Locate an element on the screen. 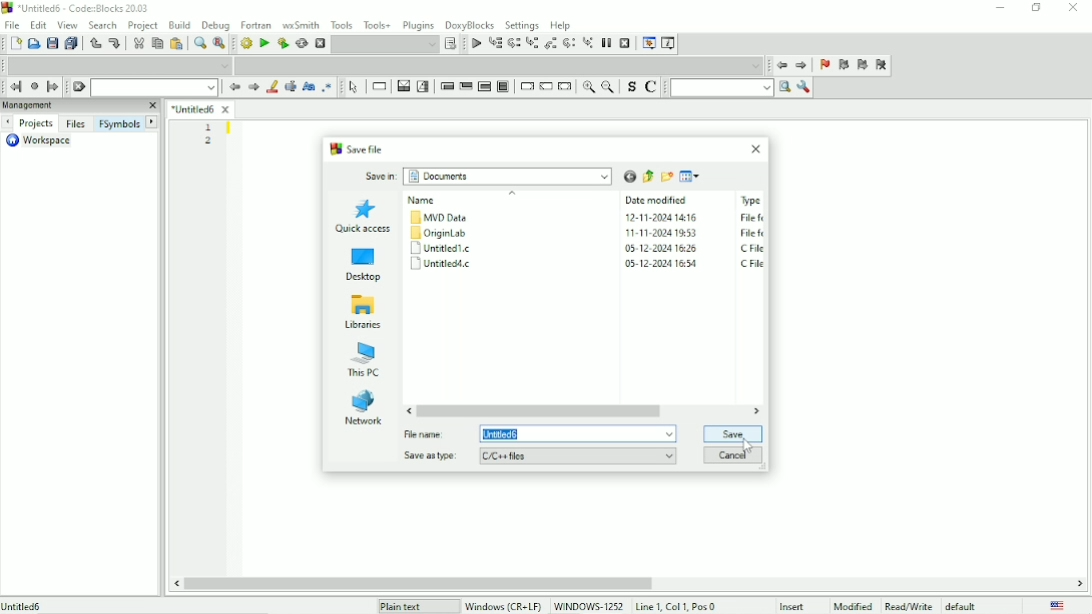 Image resolution: width=1092 pixels, height=614 pixels. Horizontal scrollbar is located at coordinates (417, 582).